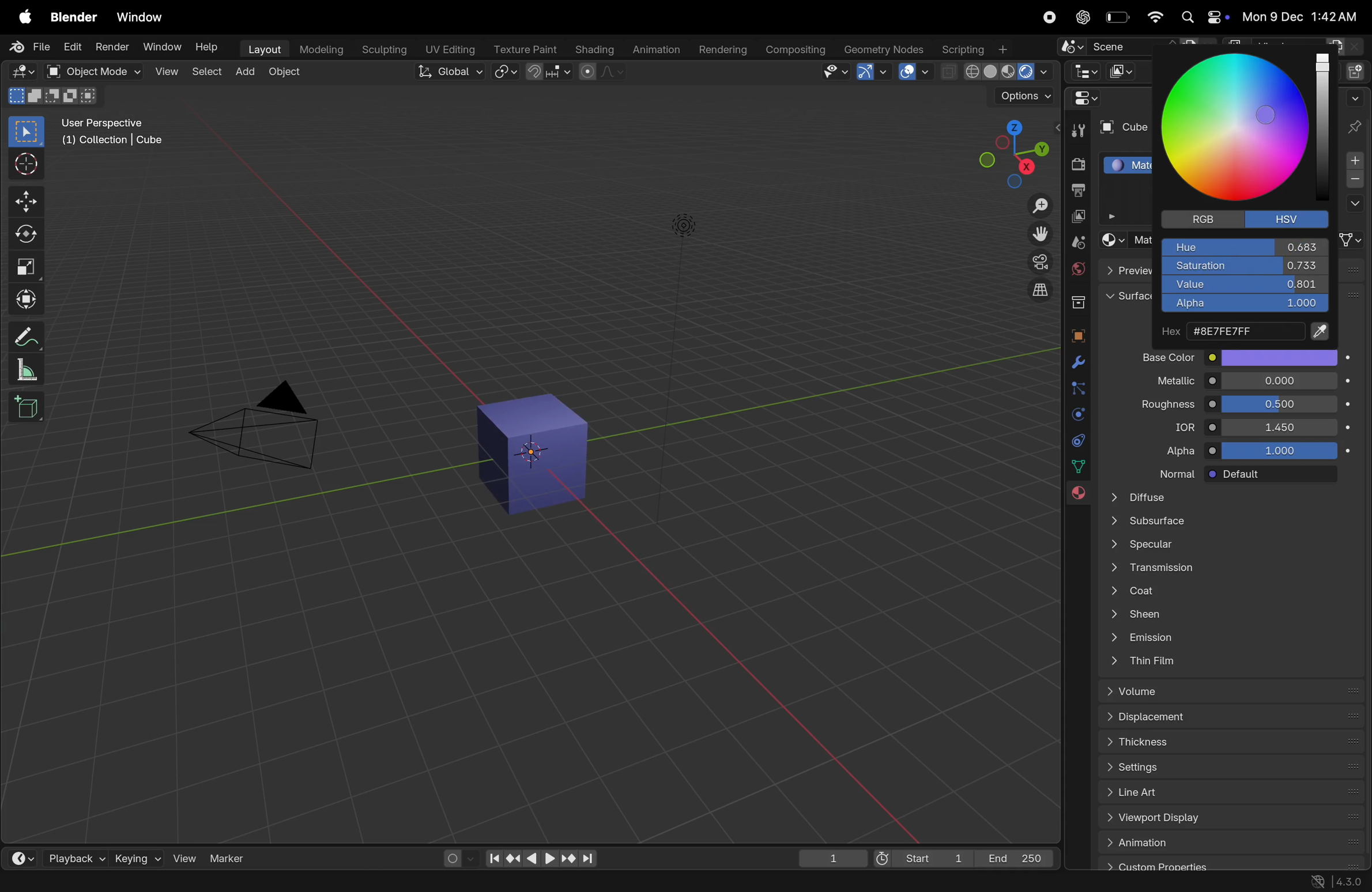 The height and width of the screenshot is (892, 1372). What do you see at coordinates (1076, 440) in the screenshot?
I see `constraints` at bounding box center [1076, 440].